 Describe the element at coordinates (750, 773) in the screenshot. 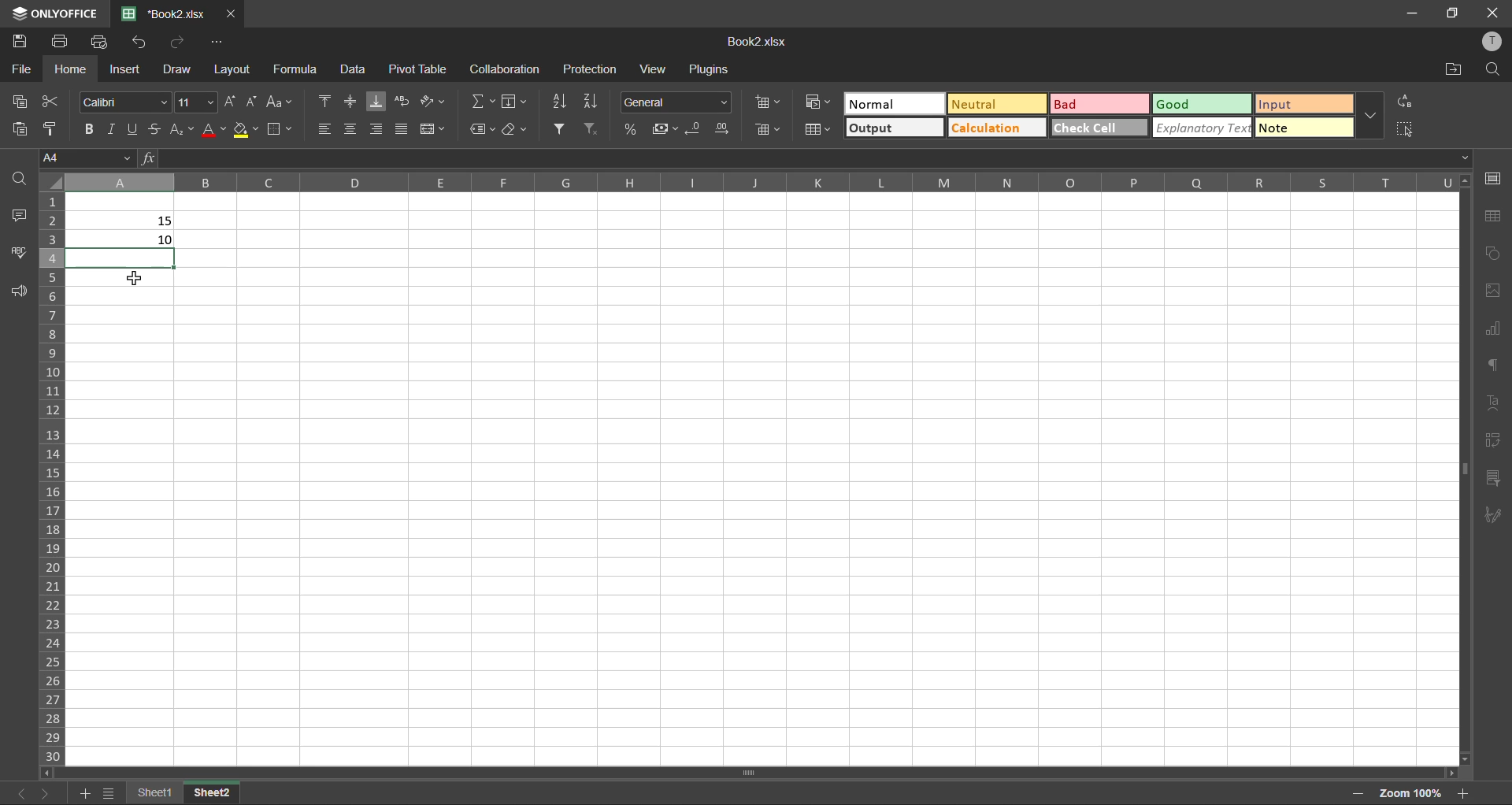

I see `scrollbar` at that location.